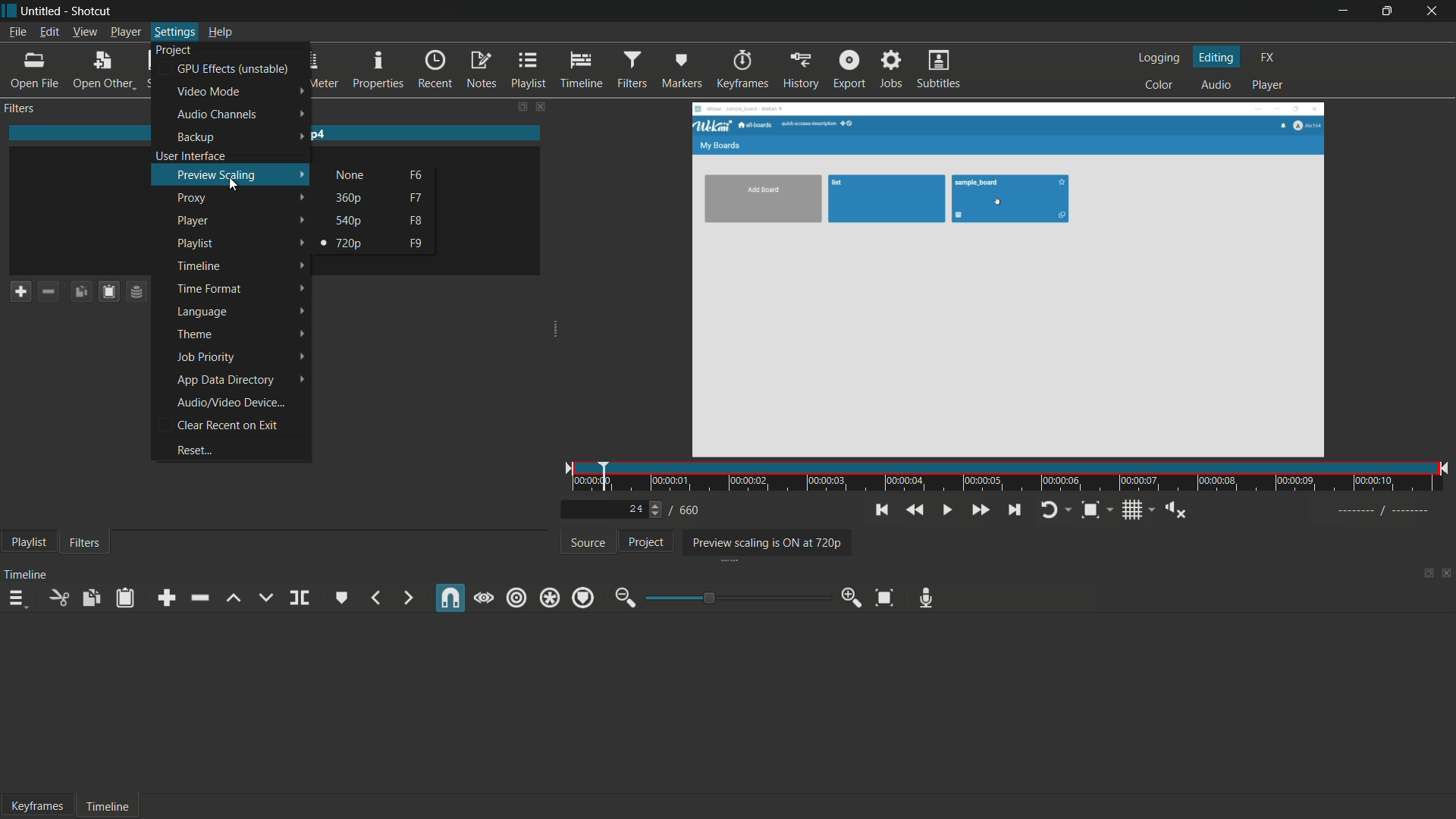 The image size is (1456, 819). I want to click on job priority, so click(204, 357).